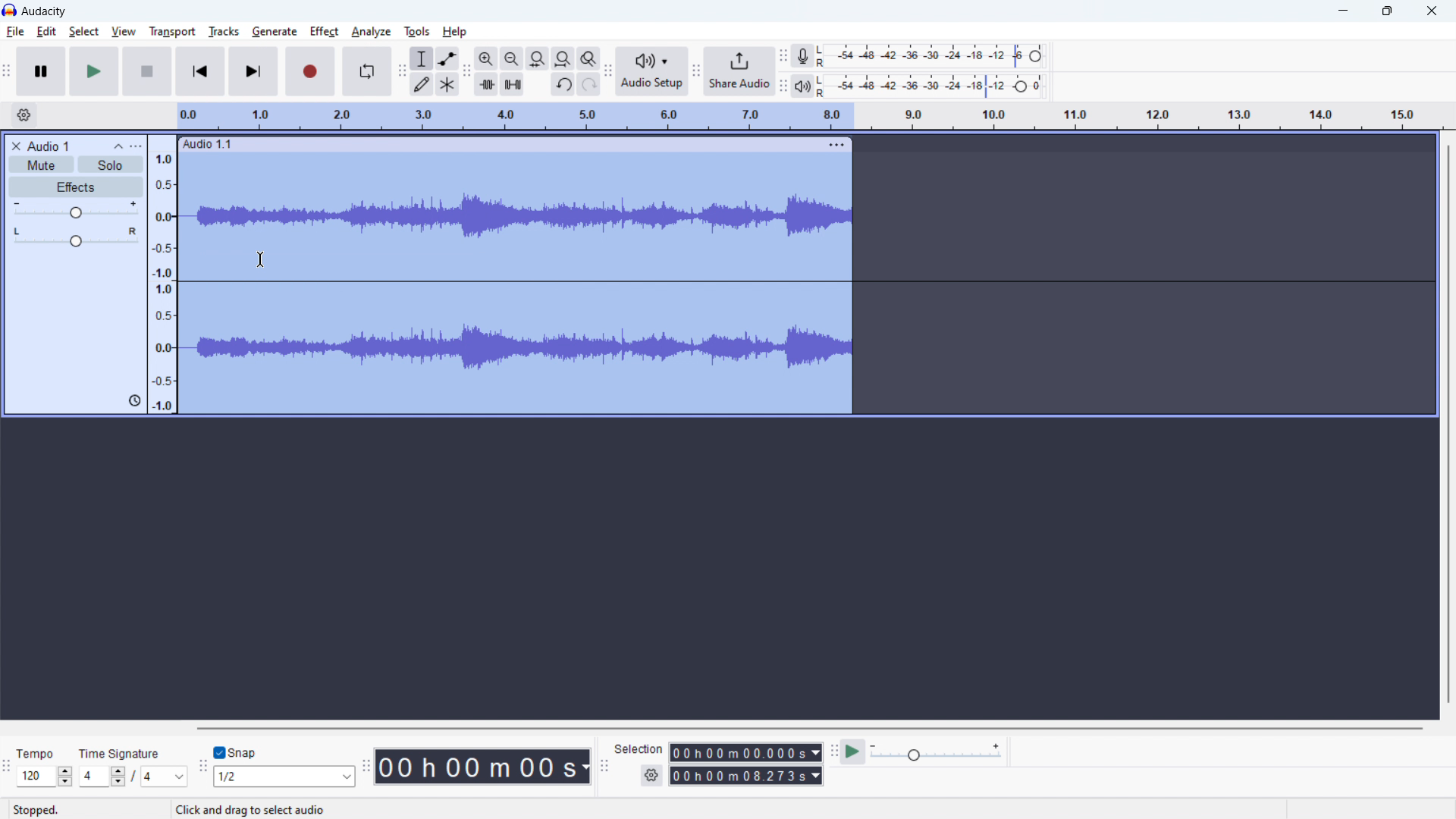 This screenshot has width=1456, height=819. What do you see at coordinates (696, 71) in the screenshot?
I see `share audio toolbar` at bounding box center [696, 71].